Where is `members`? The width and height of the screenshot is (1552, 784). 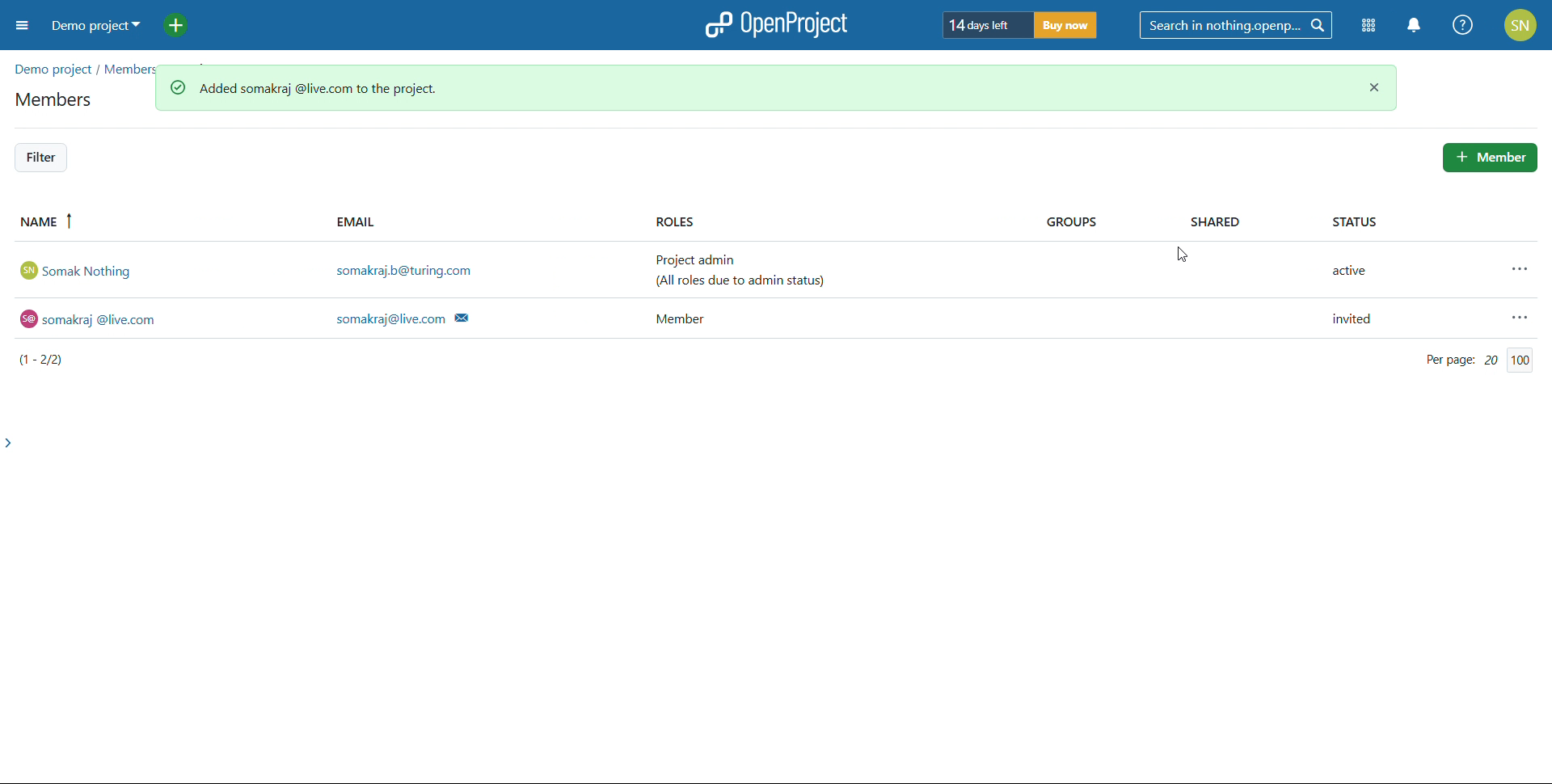 members is located at coordinates (66, 104).